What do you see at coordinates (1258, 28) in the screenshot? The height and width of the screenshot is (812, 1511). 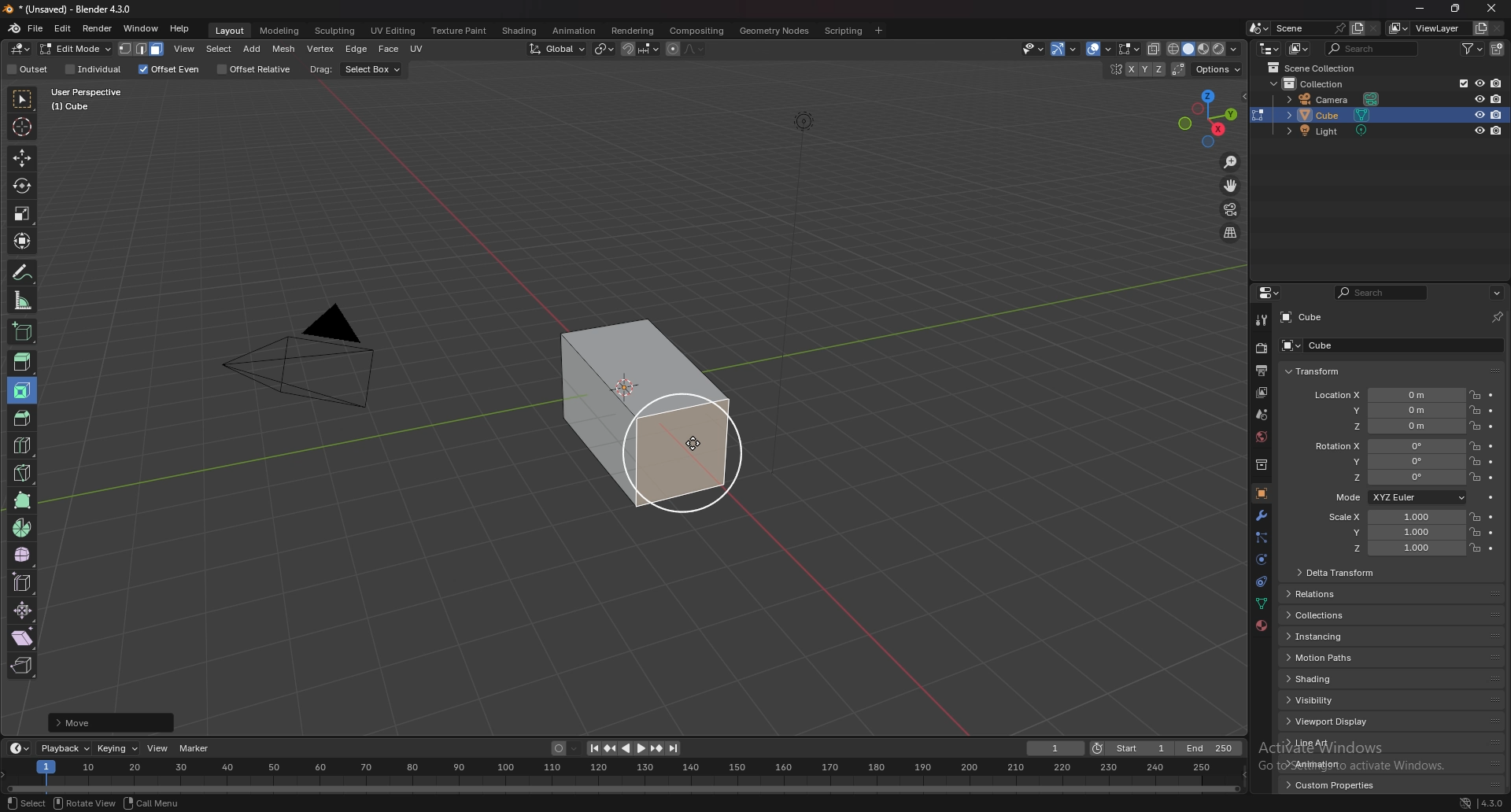 I see `browse scene` at bounding box center [1258, 28].